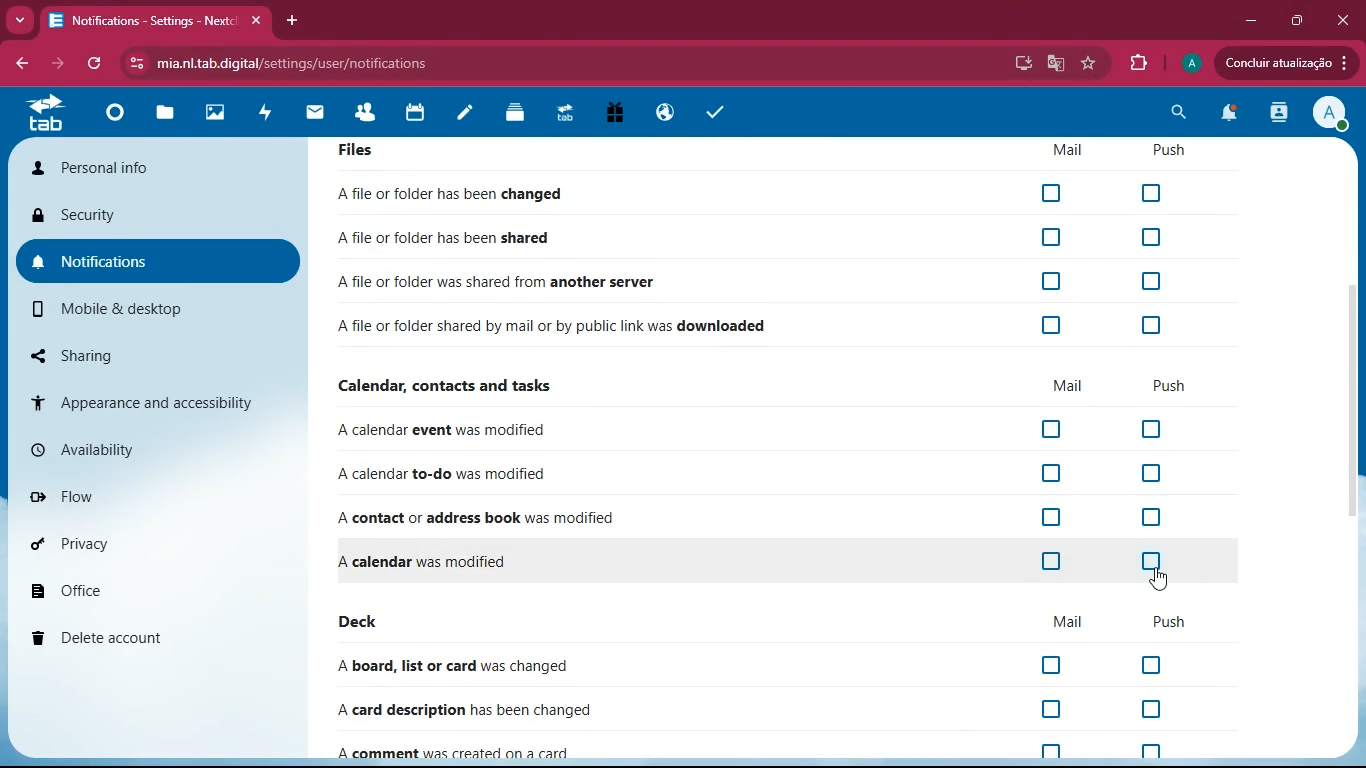 The image size is (1366, 768). What do you see at coordinates (158, 170) in the screenshot?
I see `personal info` at bounding box center [158, 170].